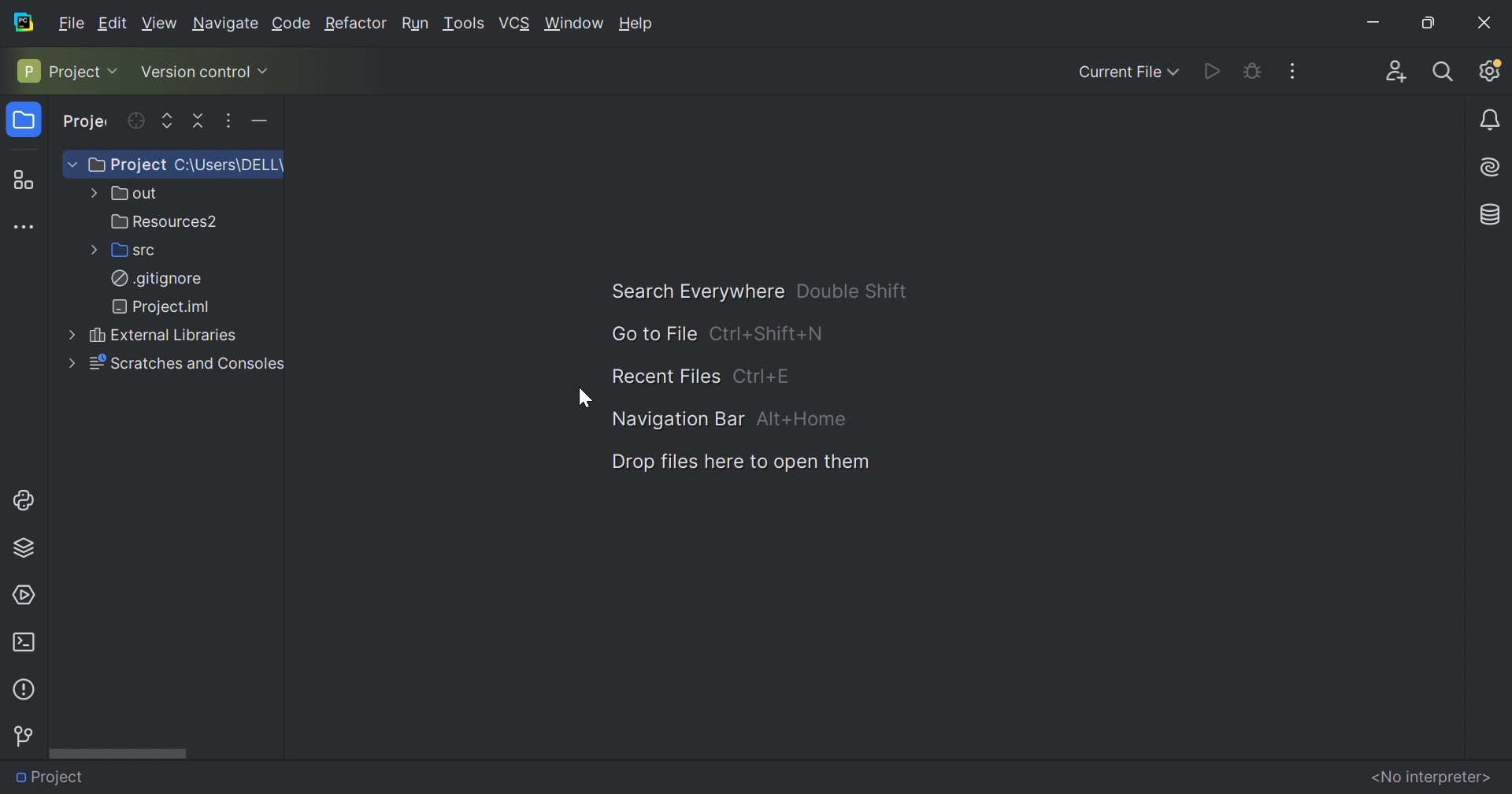 The image size is (1512, 794). I want to click on Fiele, so click(73, 21).